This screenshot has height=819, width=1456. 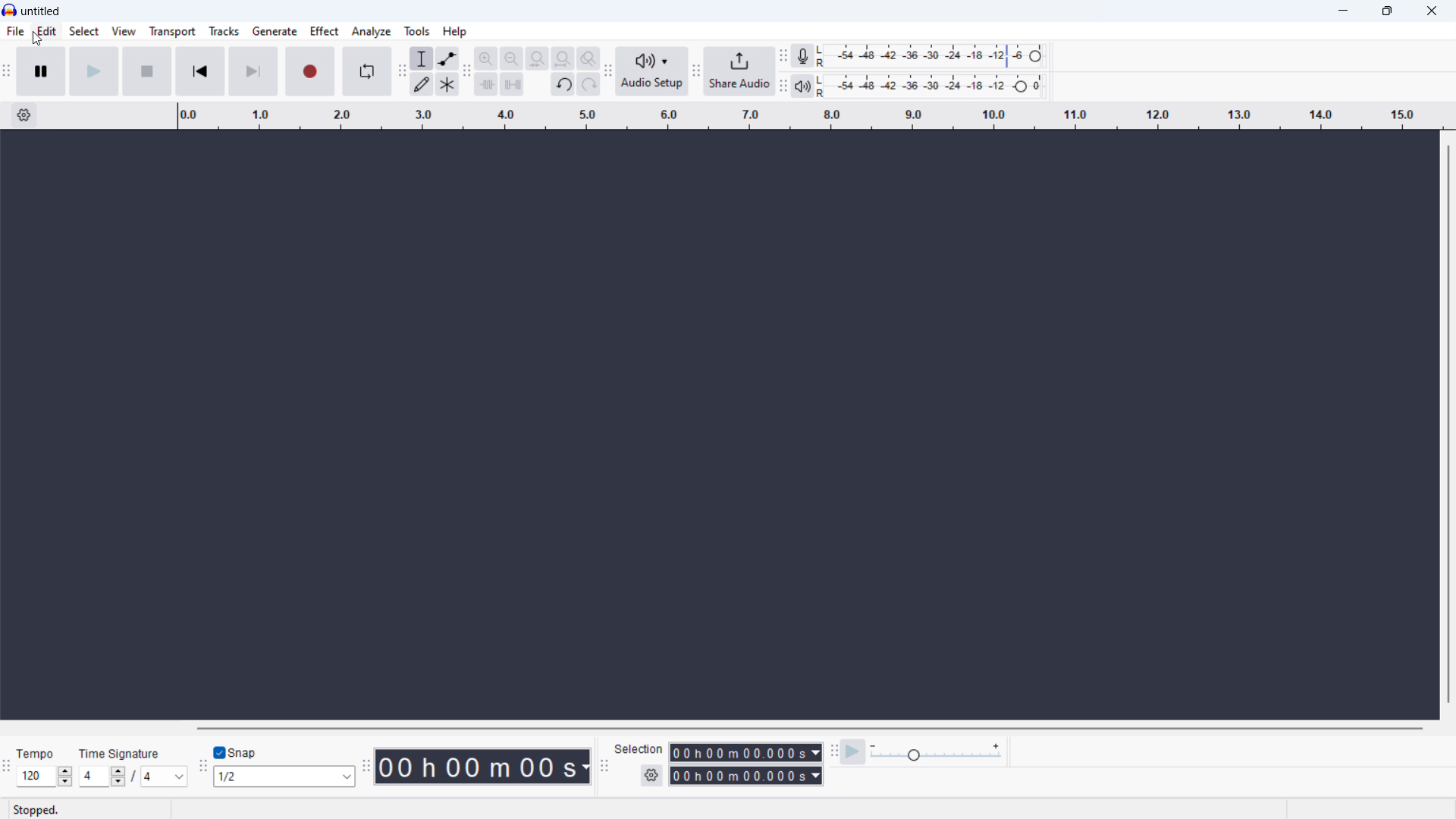 I want to click on recording level, so click(x=936, y=57).